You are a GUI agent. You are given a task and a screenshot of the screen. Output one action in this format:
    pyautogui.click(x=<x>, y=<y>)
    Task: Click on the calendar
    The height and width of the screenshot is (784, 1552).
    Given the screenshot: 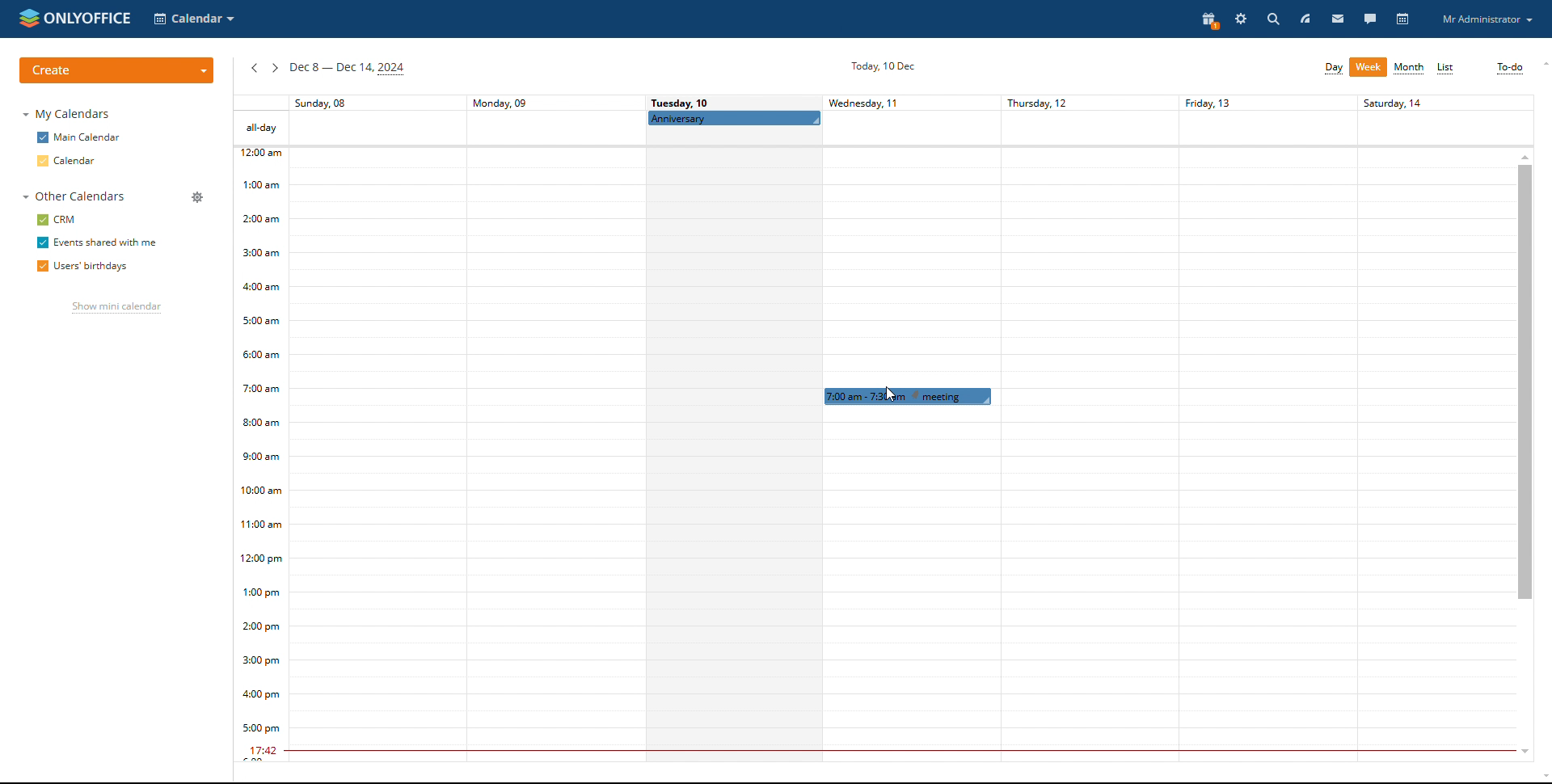 What is the action you would take?
    pyautogui.click(x=1404, y=20)
    